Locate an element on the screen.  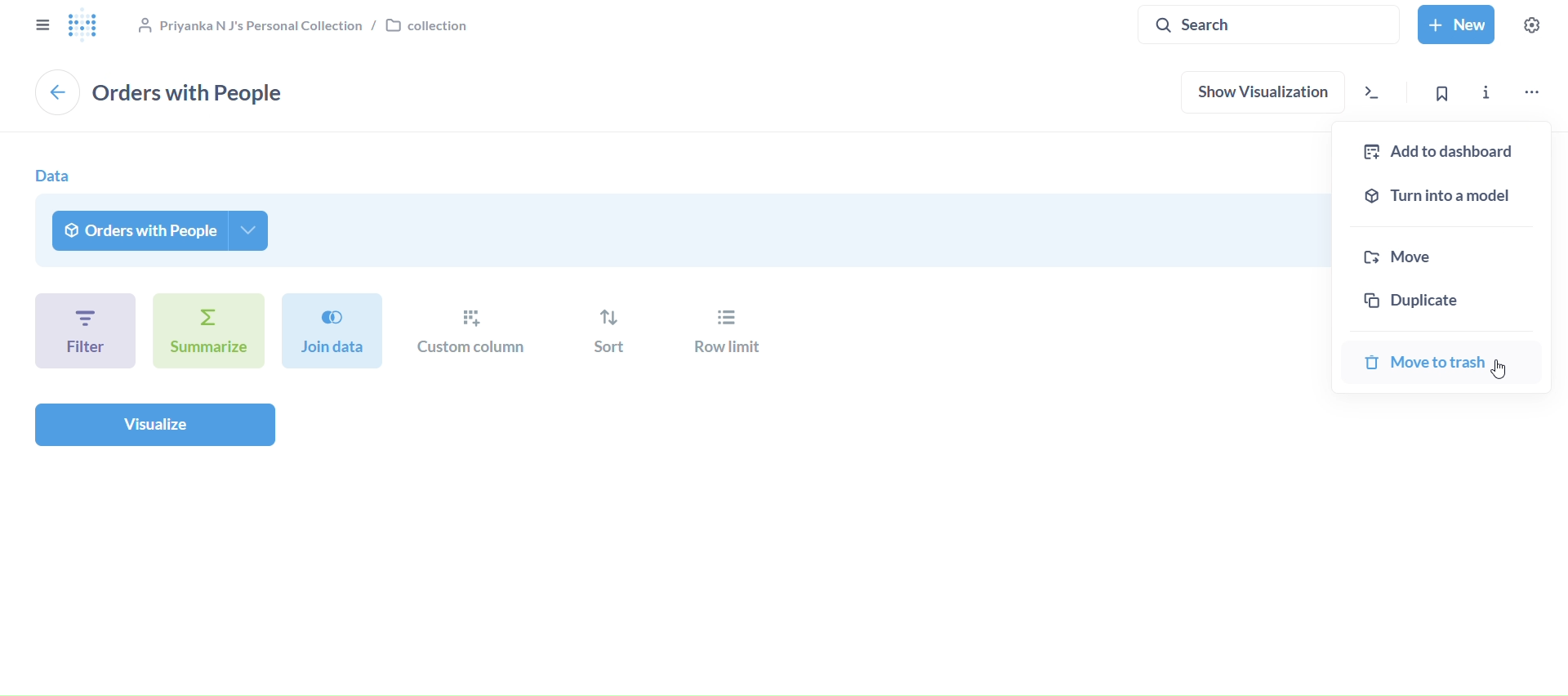
Settings is located at coordinates (1534, 24).